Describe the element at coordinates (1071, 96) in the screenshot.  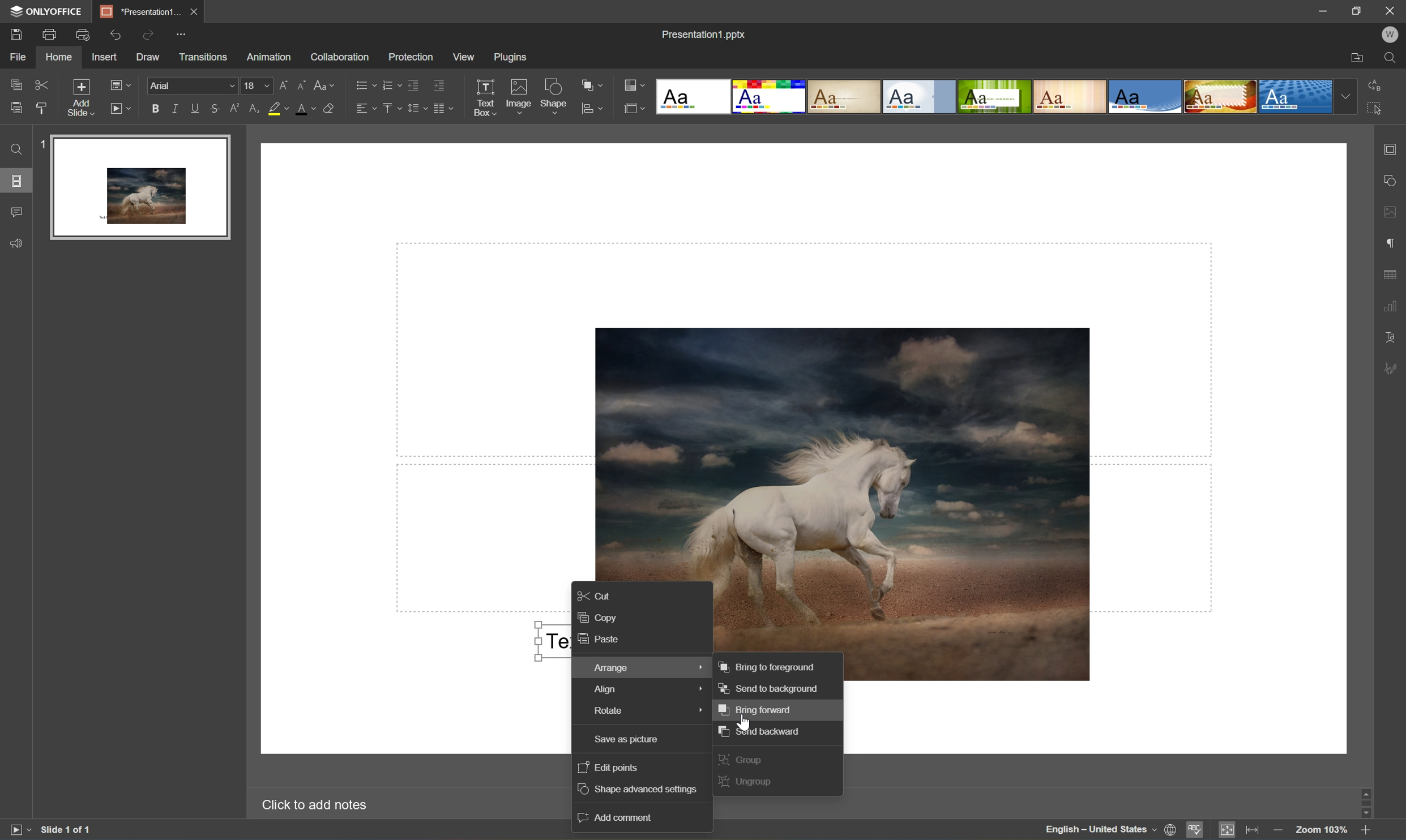
I see `Lines` at that location.